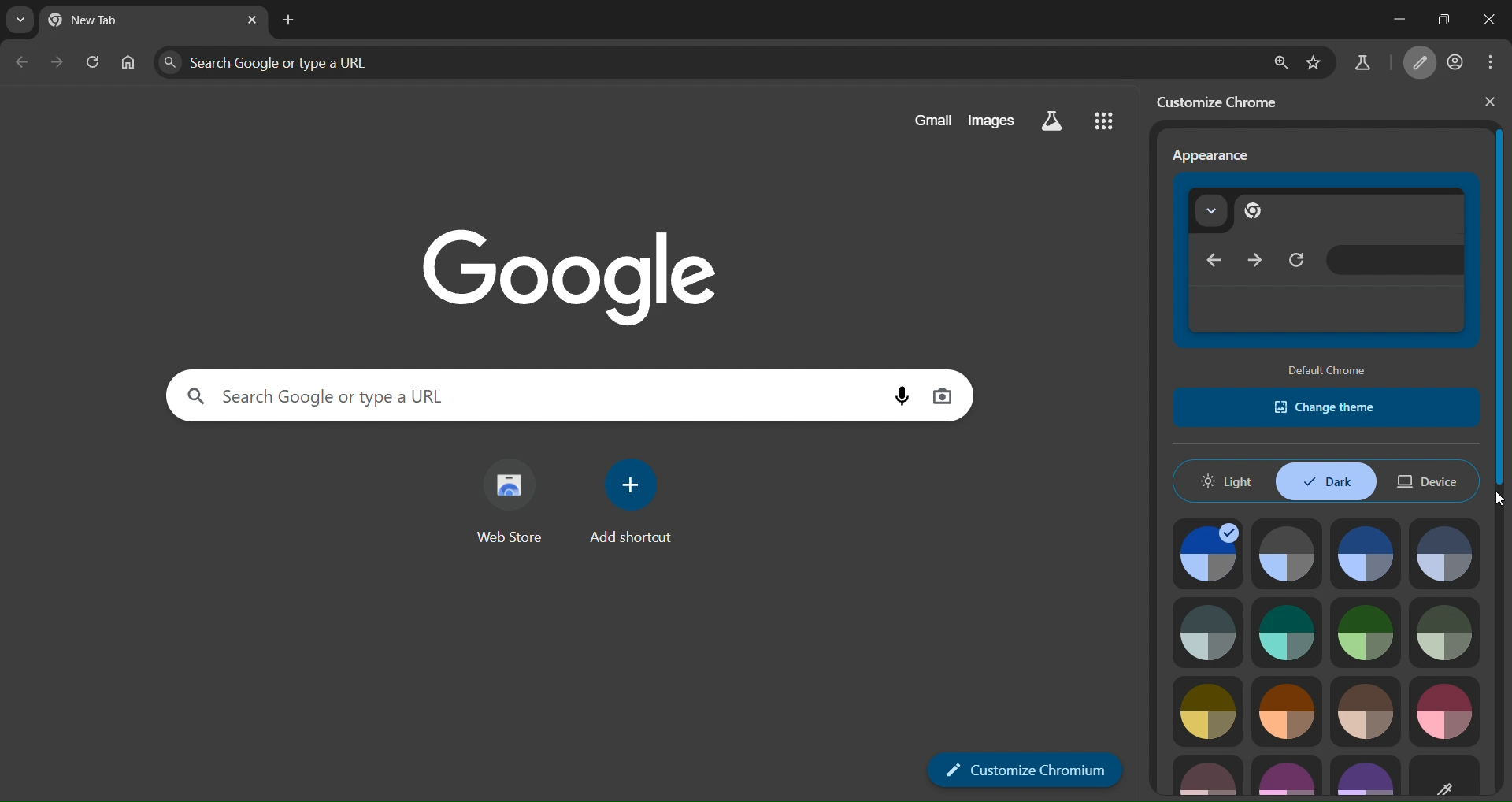 The image size is (1512, 802). I want to click on customize theme, so click(1446, 776).